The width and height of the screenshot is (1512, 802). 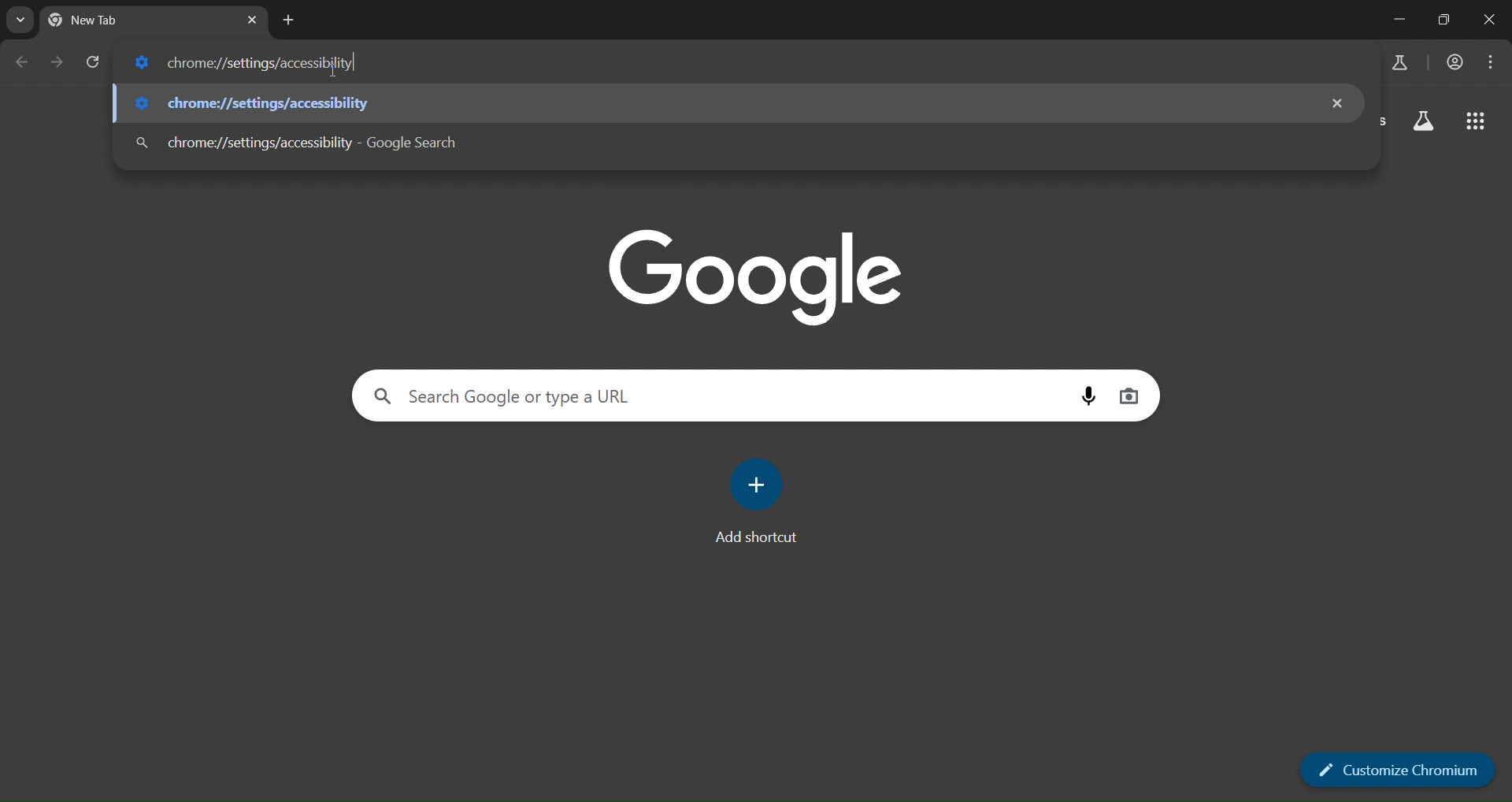 I want to click on search tabs, so click(x=19, y=20).